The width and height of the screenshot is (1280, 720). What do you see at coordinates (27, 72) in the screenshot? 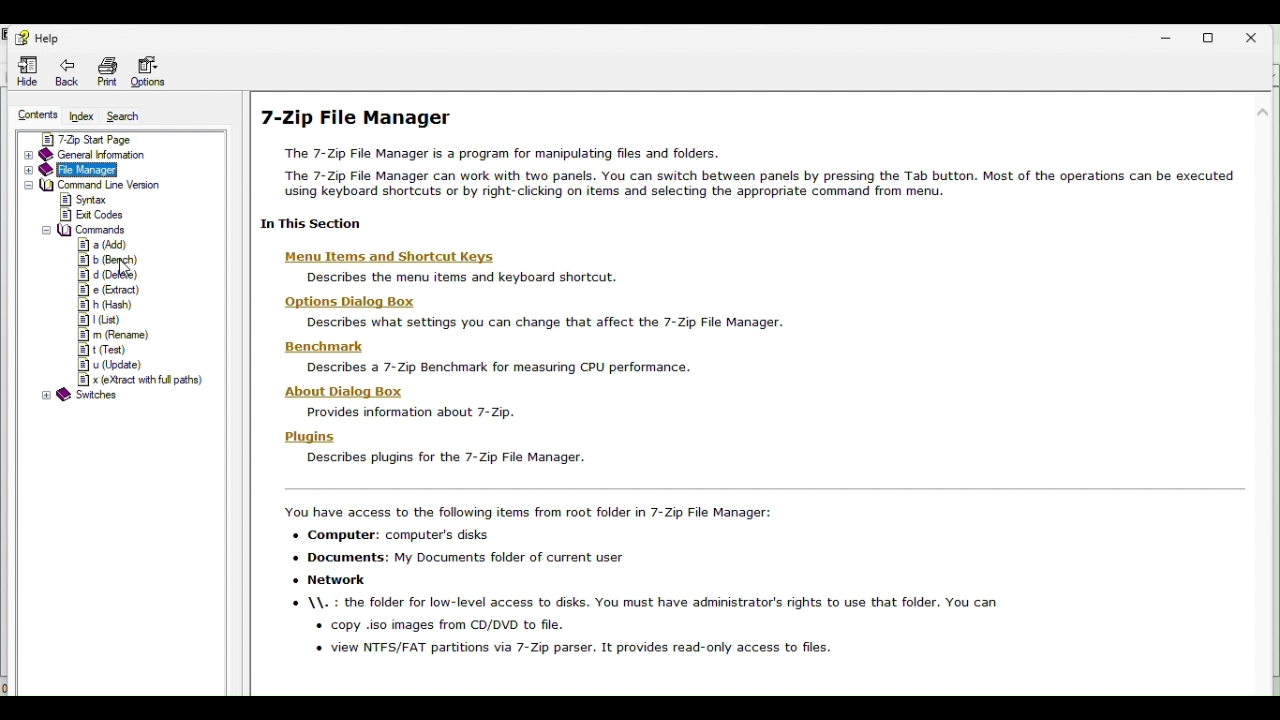
I see `Hide` at bounding box center [27, 72].